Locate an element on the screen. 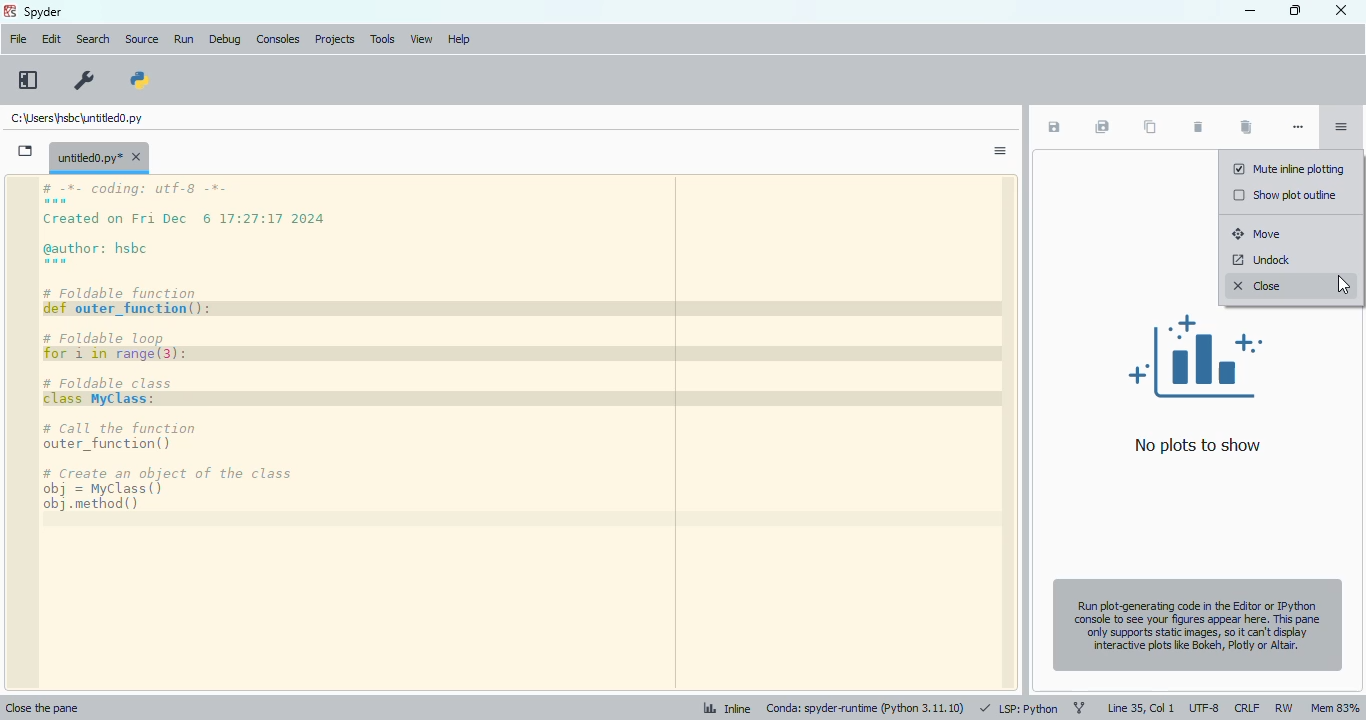 The width and height of the screenshot is (1366, 720). tools is located at coordinates (382, 39).